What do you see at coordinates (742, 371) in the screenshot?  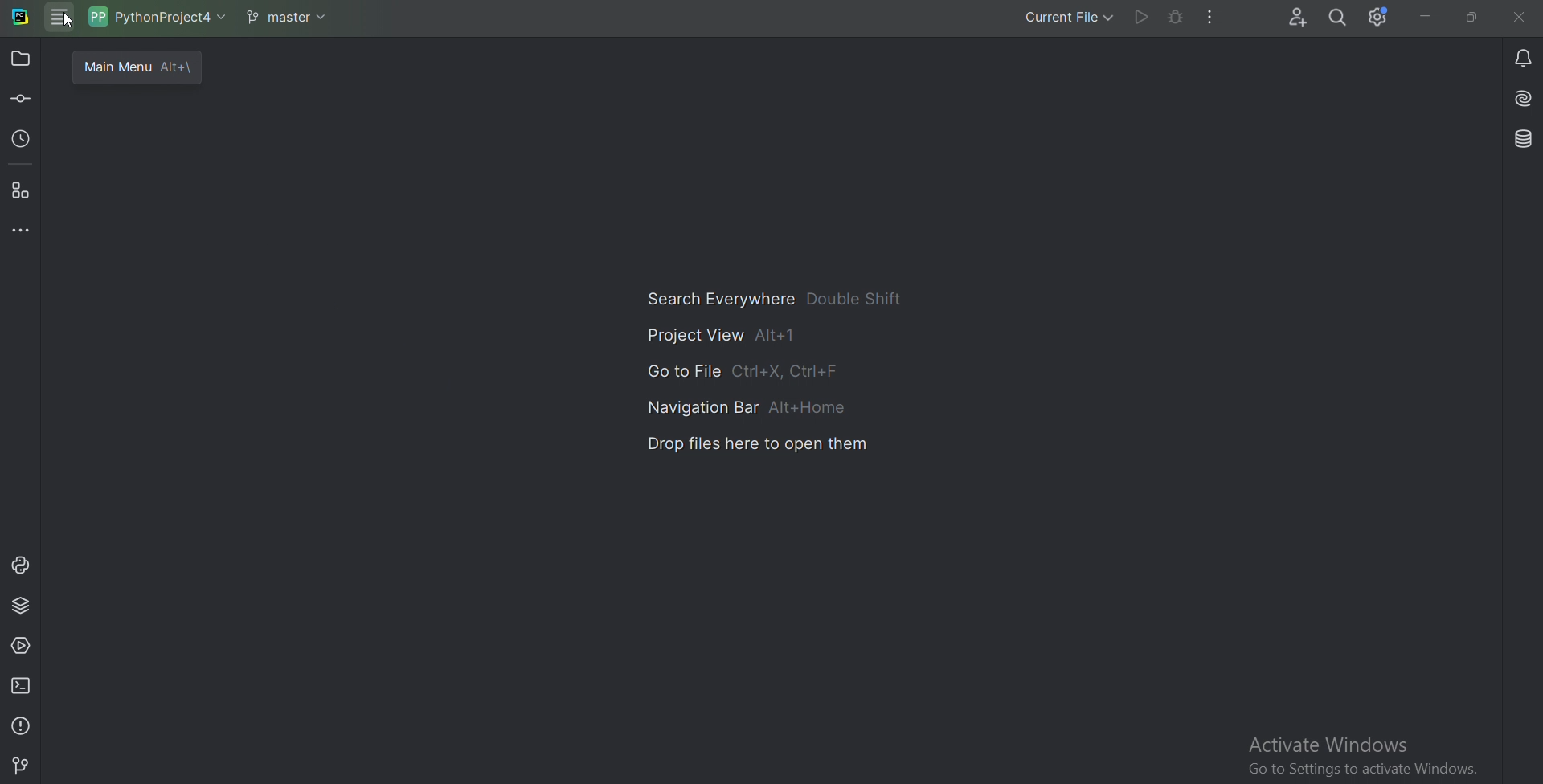 I see `Go to file` at bounding box center [742, 371].